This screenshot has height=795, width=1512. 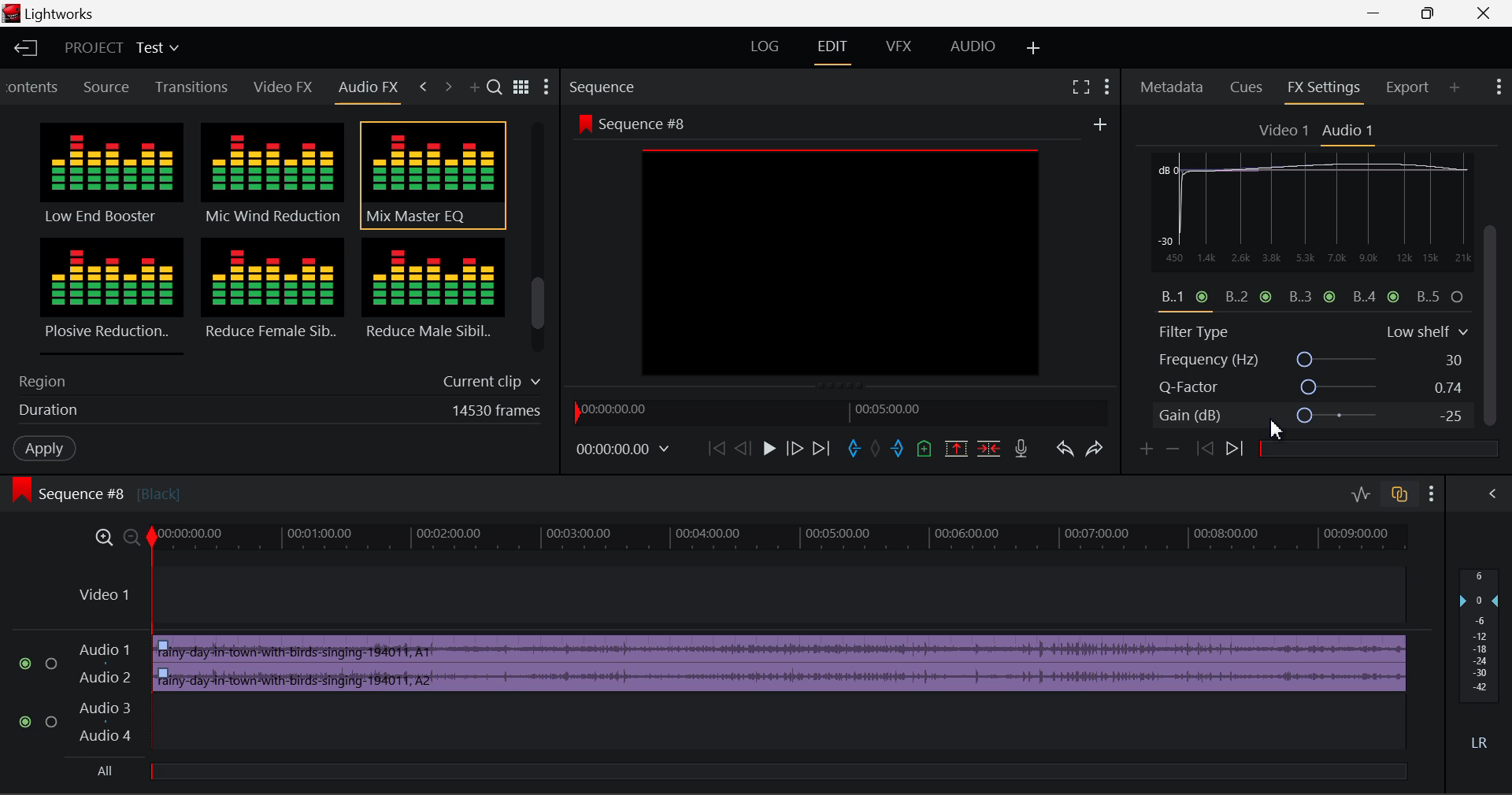 What do you see at coordinates (1284, 131) in the screenshot?
I see `Video 1` at bounding box center [1284, 131].